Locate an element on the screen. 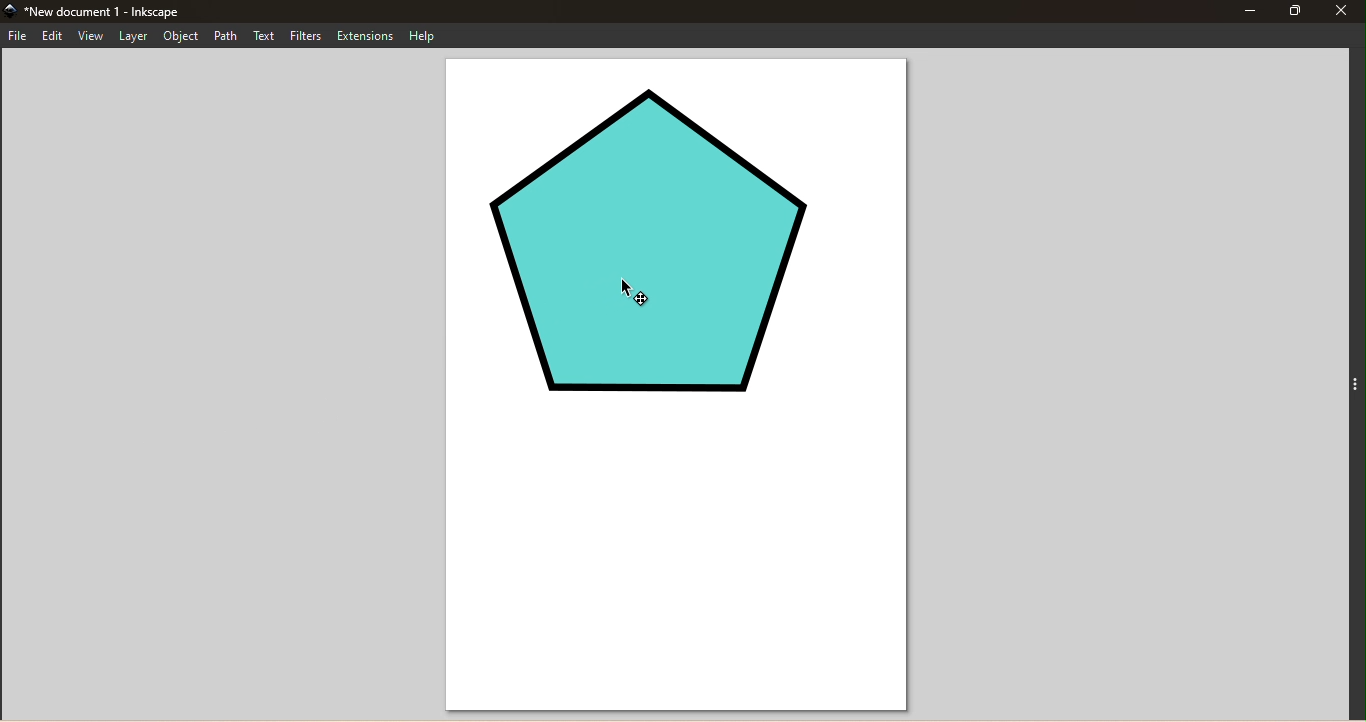 The width and height of the screenshot is (1366, 722). app icon is located at coordinates (10, 11).